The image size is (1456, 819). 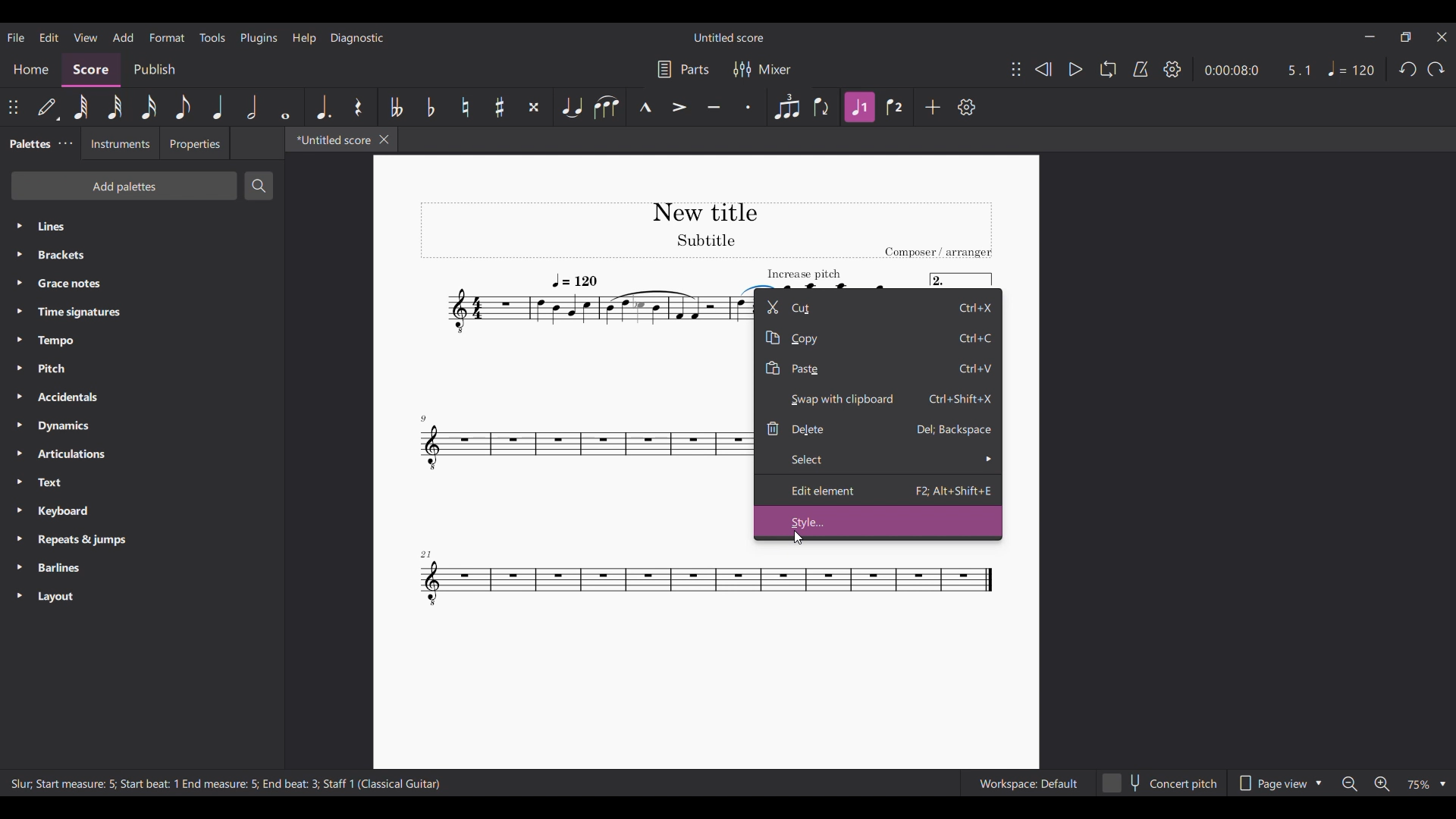 What do you see at coordinates (822, 107) in the screenshot?
I see `Flip direction` at bounding box center [822, 107].